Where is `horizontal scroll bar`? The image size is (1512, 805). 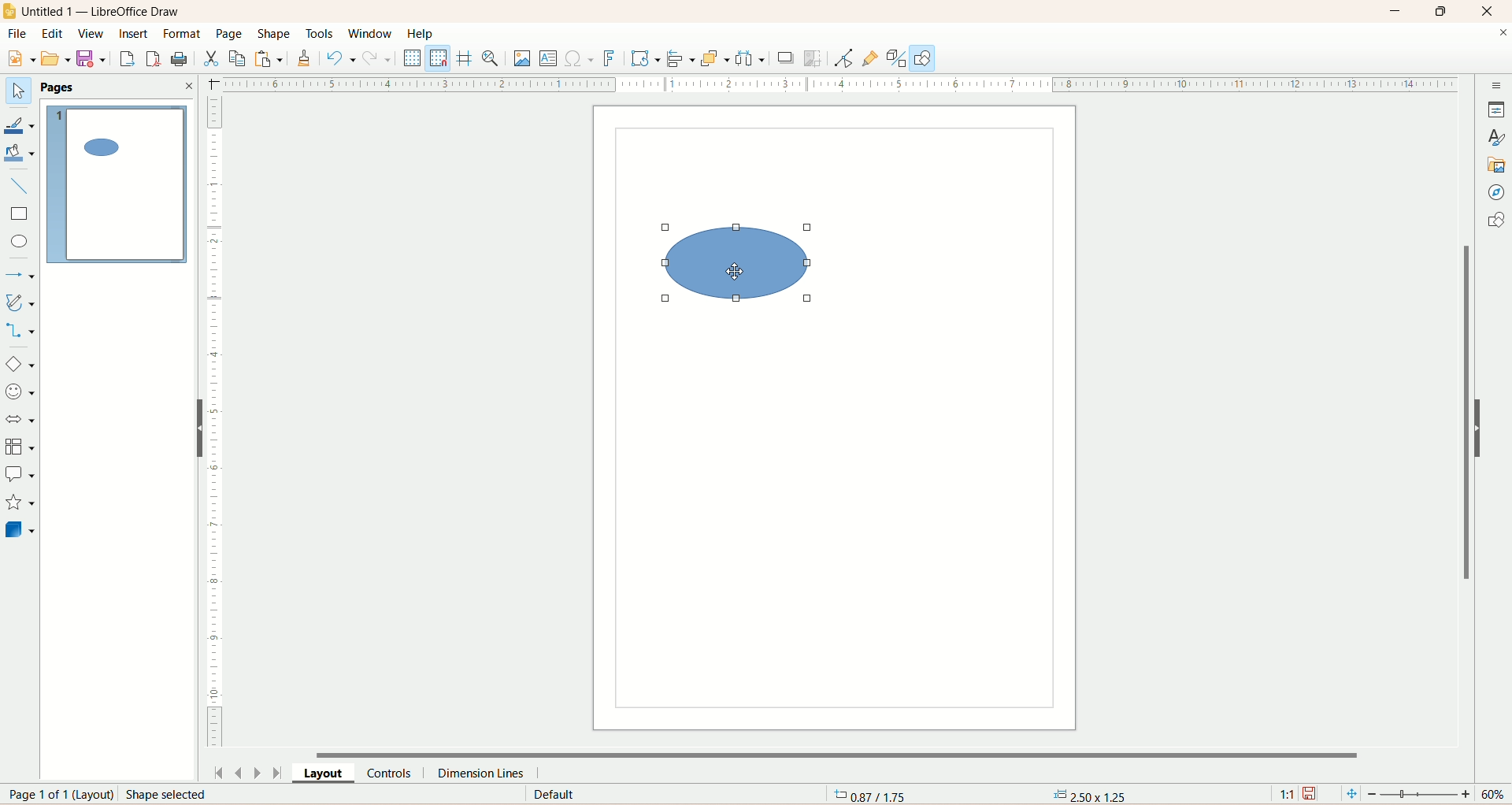 horizontal scroll bar is located at coordinates (843, 751).